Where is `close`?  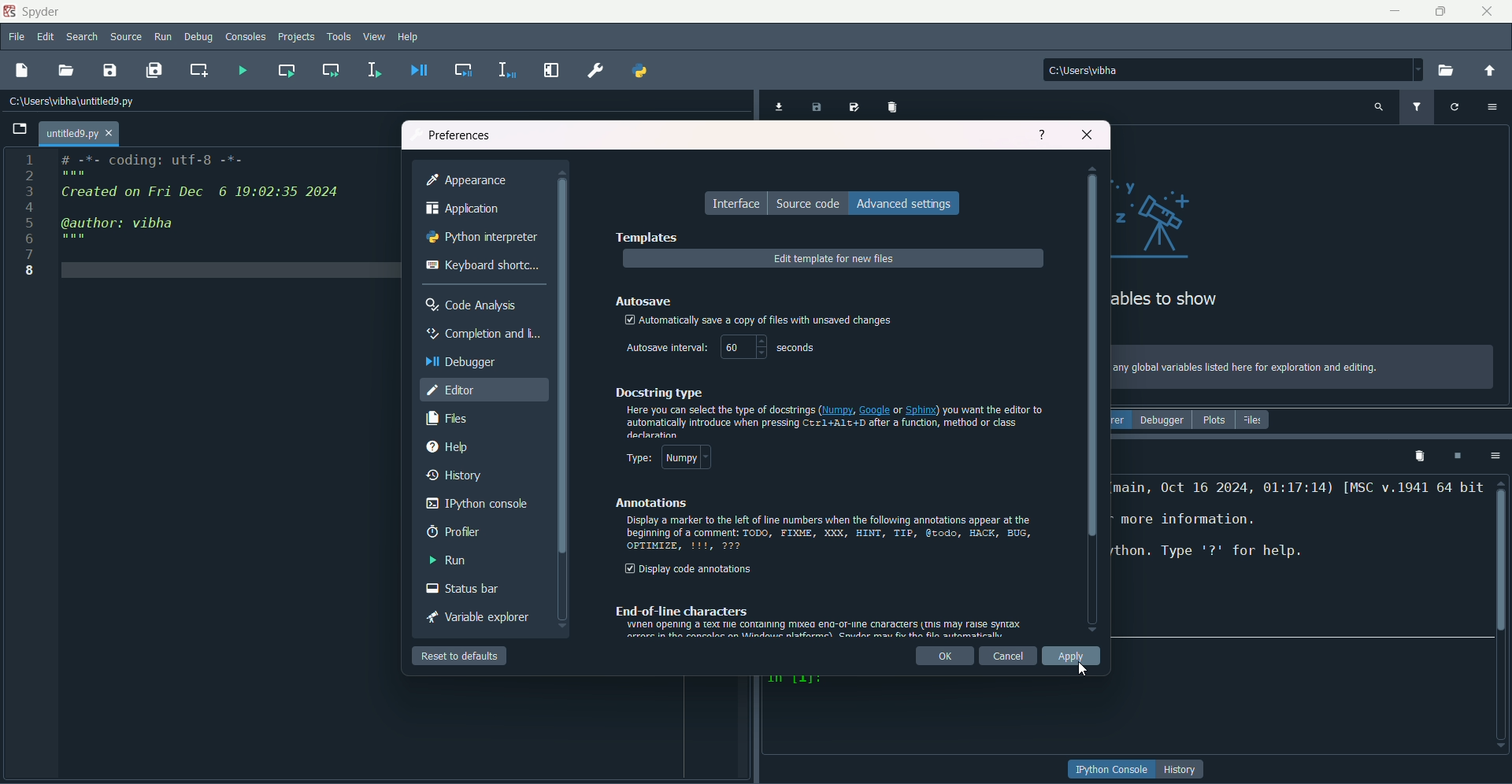 close is located at coordinates (1088, 133).